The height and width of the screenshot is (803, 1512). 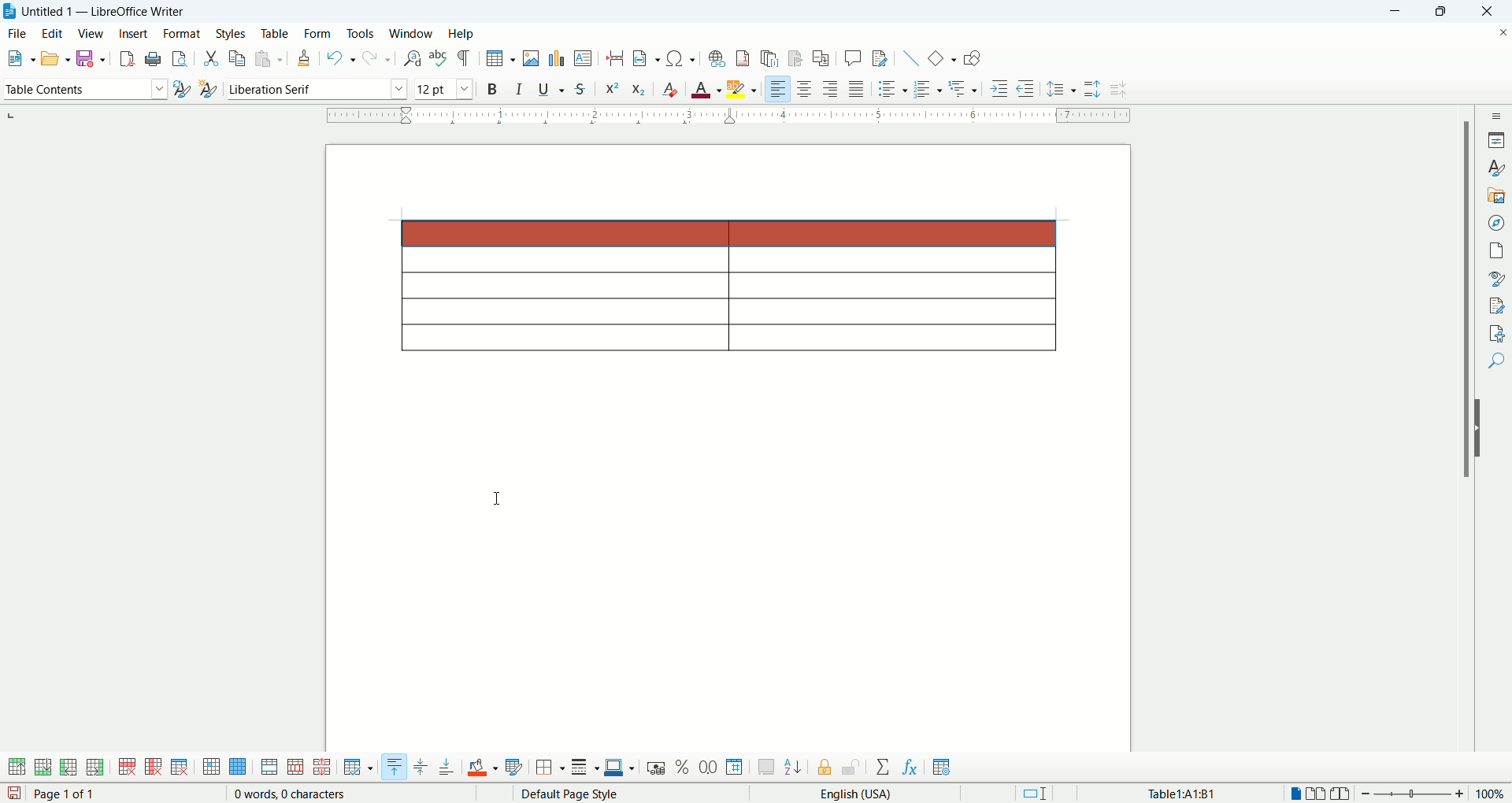 What do you see at coordinates (238, 768) in the screenshot?
I see `select table` at bounding box center [238, 768].